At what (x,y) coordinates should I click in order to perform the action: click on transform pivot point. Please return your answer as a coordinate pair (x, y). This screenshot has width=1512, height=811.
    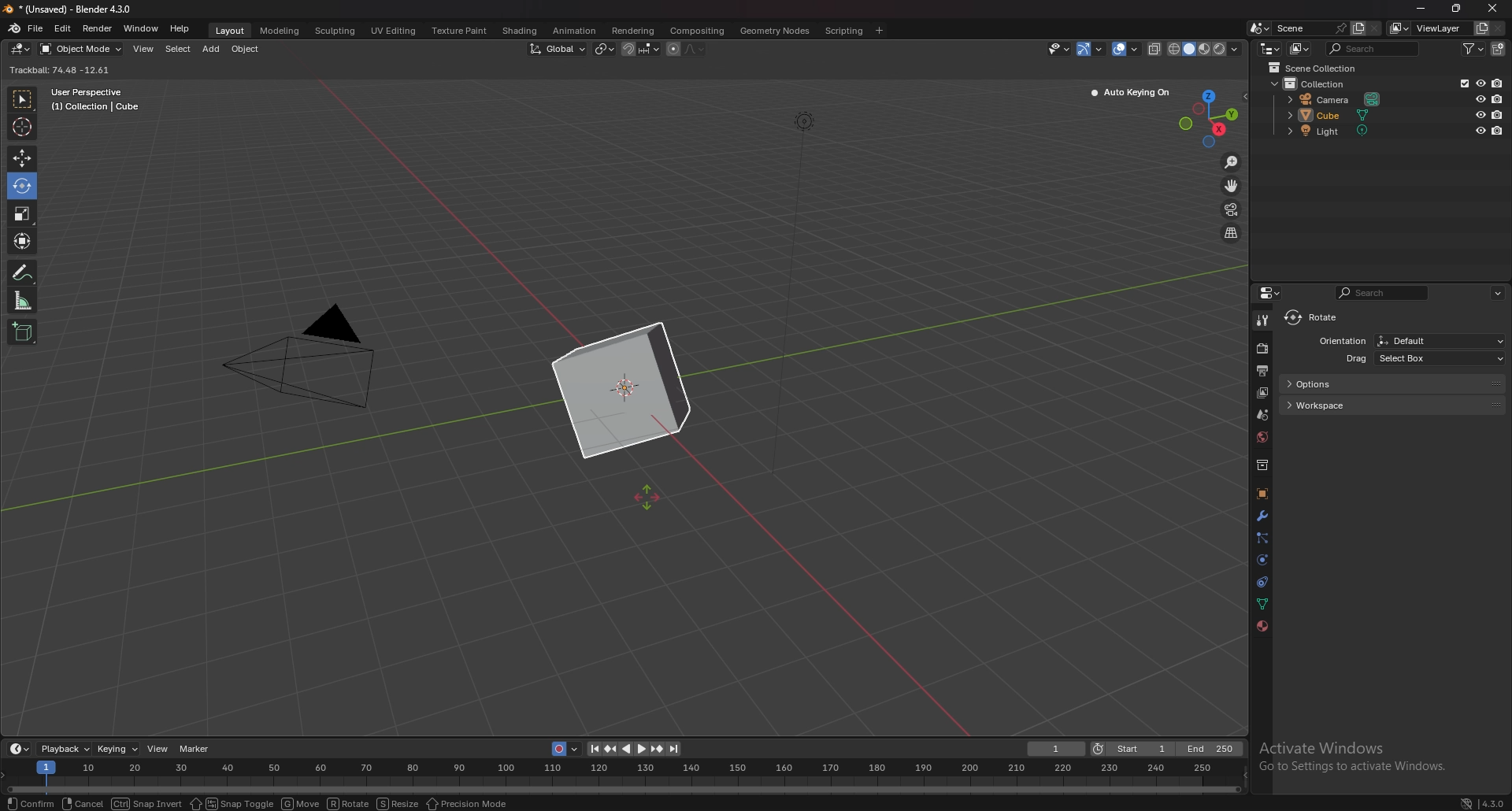
    Looking at the image, I should click on (606, 48).